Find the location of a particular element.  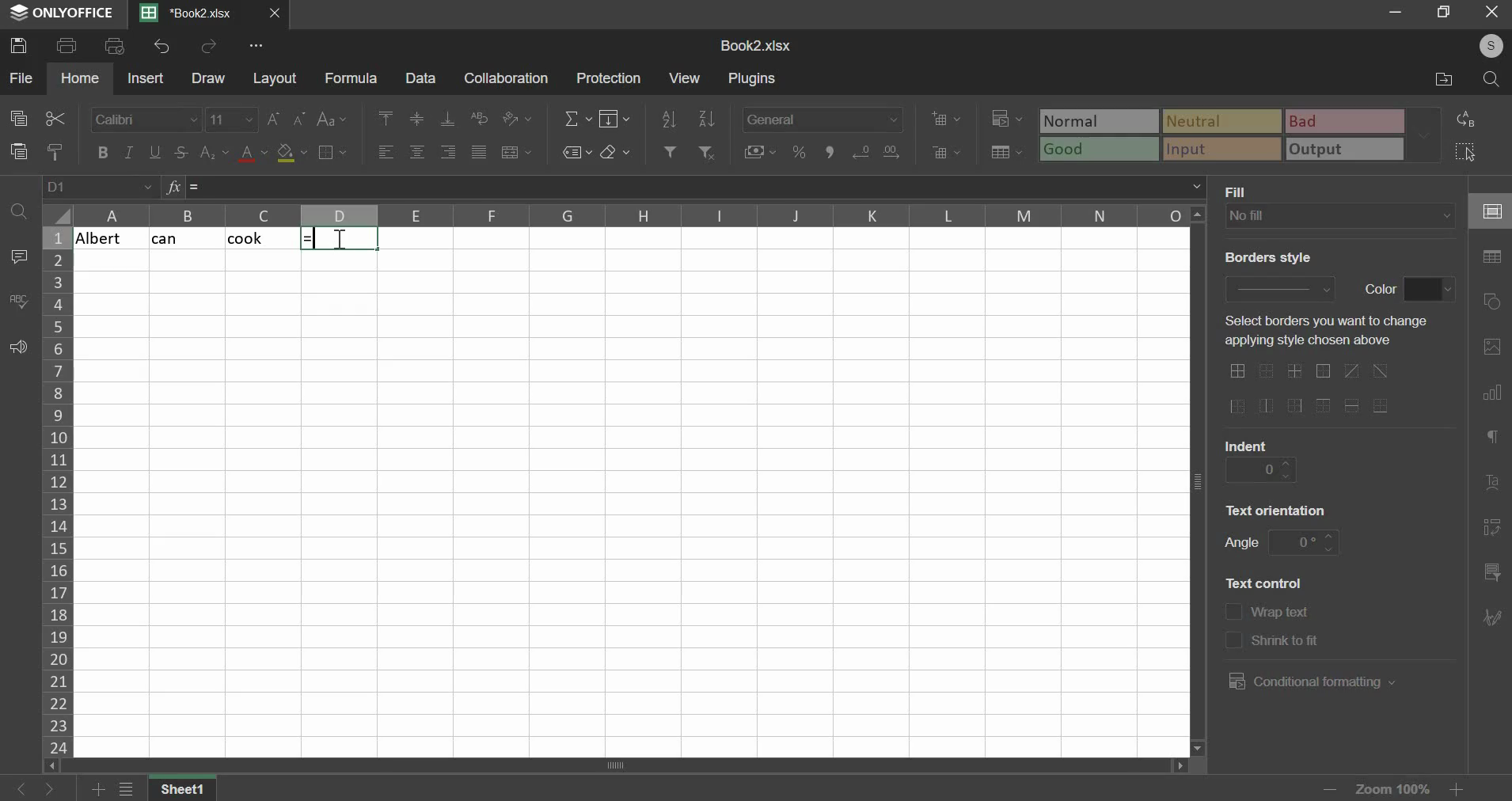

view is located at coordinates (684, 77).